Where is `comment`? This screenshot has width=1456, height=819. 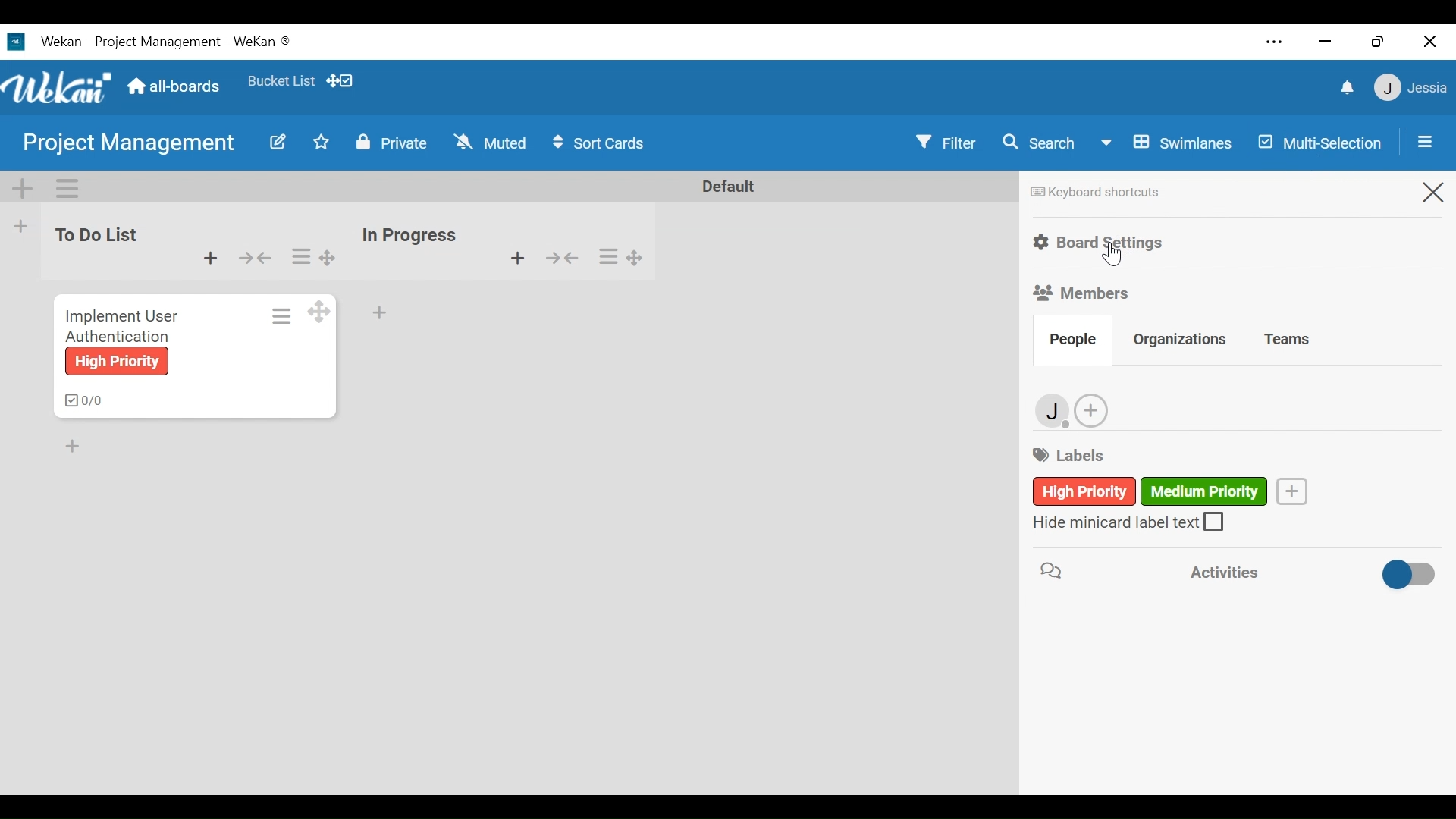
comment is located at coordinates (1050, 570).